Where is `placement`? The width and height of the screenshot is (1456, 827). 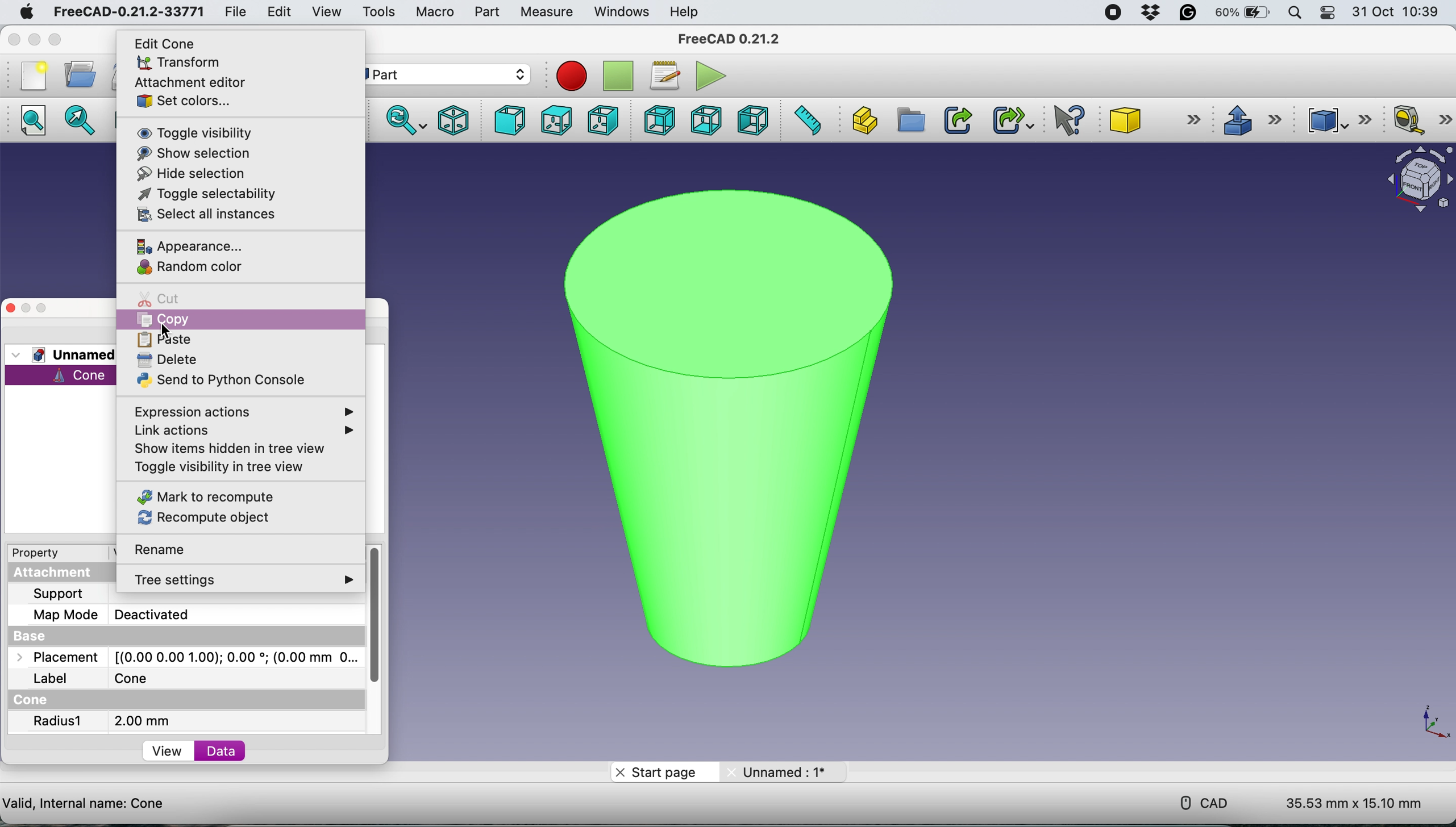 placement is located at coordinates (182, 658).